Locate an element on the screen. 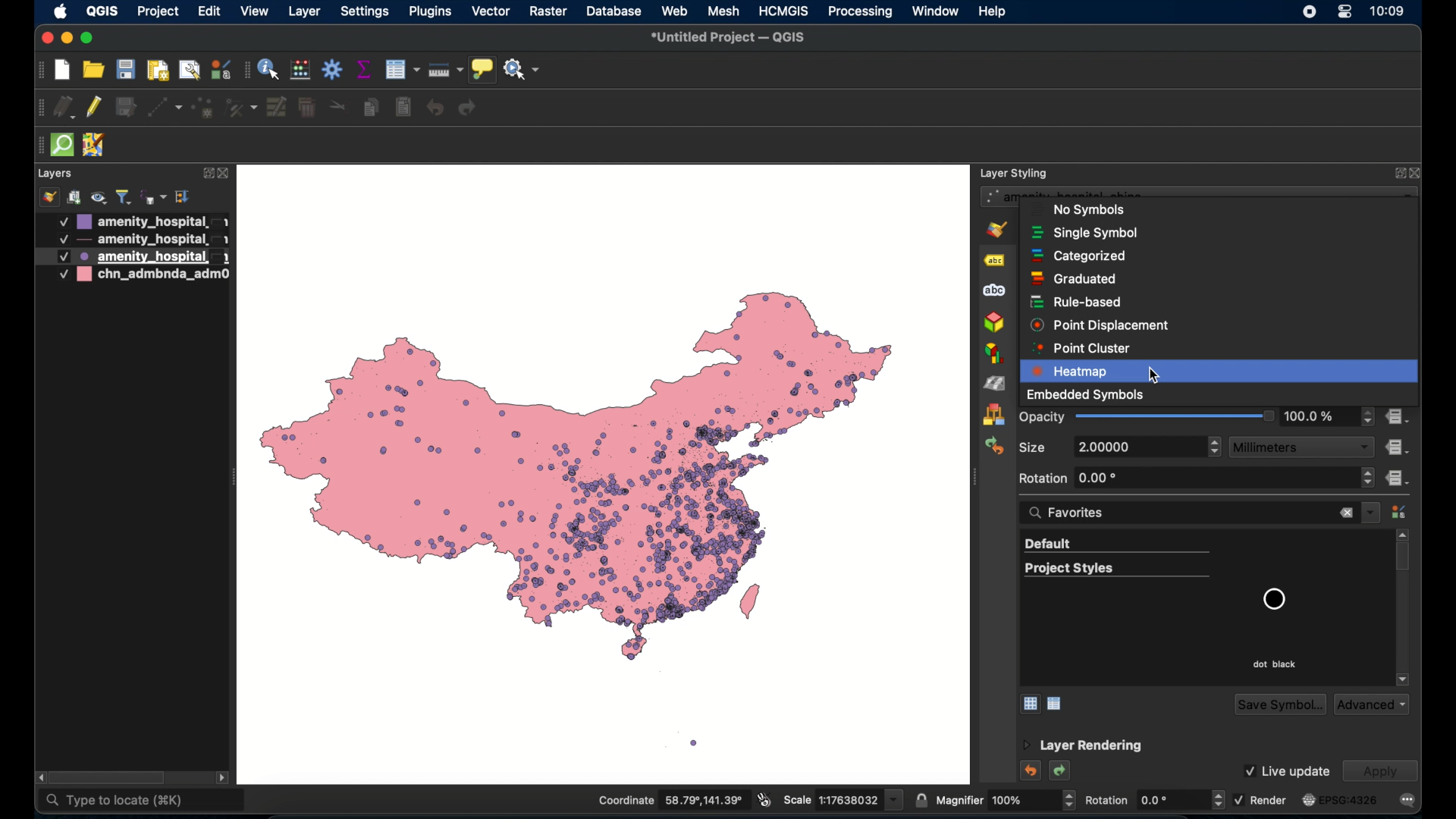 Image resolution: width=1456 pixels, height=819 pixels. raster is located at coordinates (548, 11).